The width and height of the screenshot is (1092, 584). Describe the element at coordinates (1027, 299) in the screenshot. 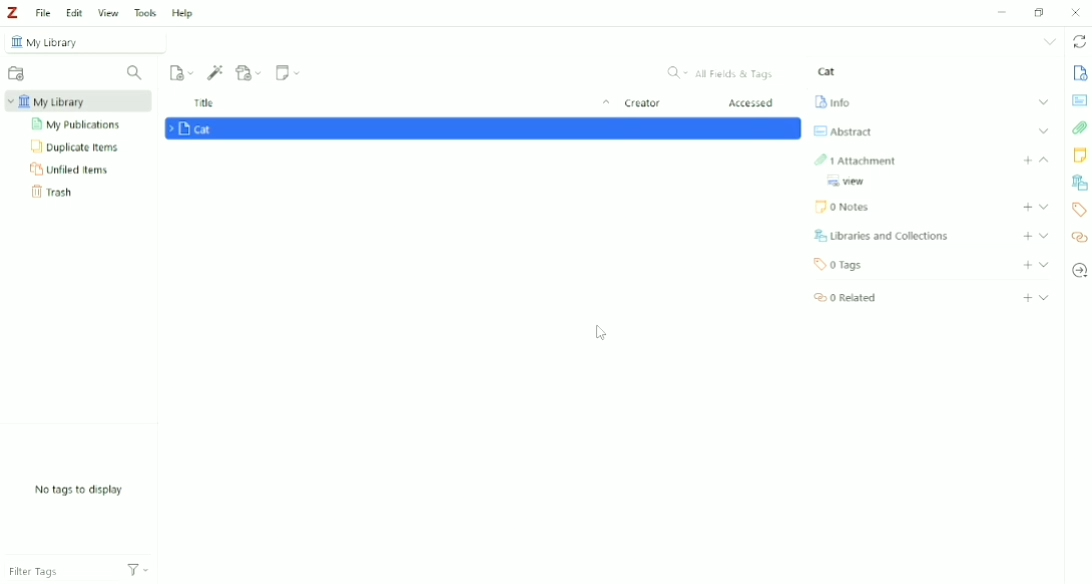

I see `Add` at that location.